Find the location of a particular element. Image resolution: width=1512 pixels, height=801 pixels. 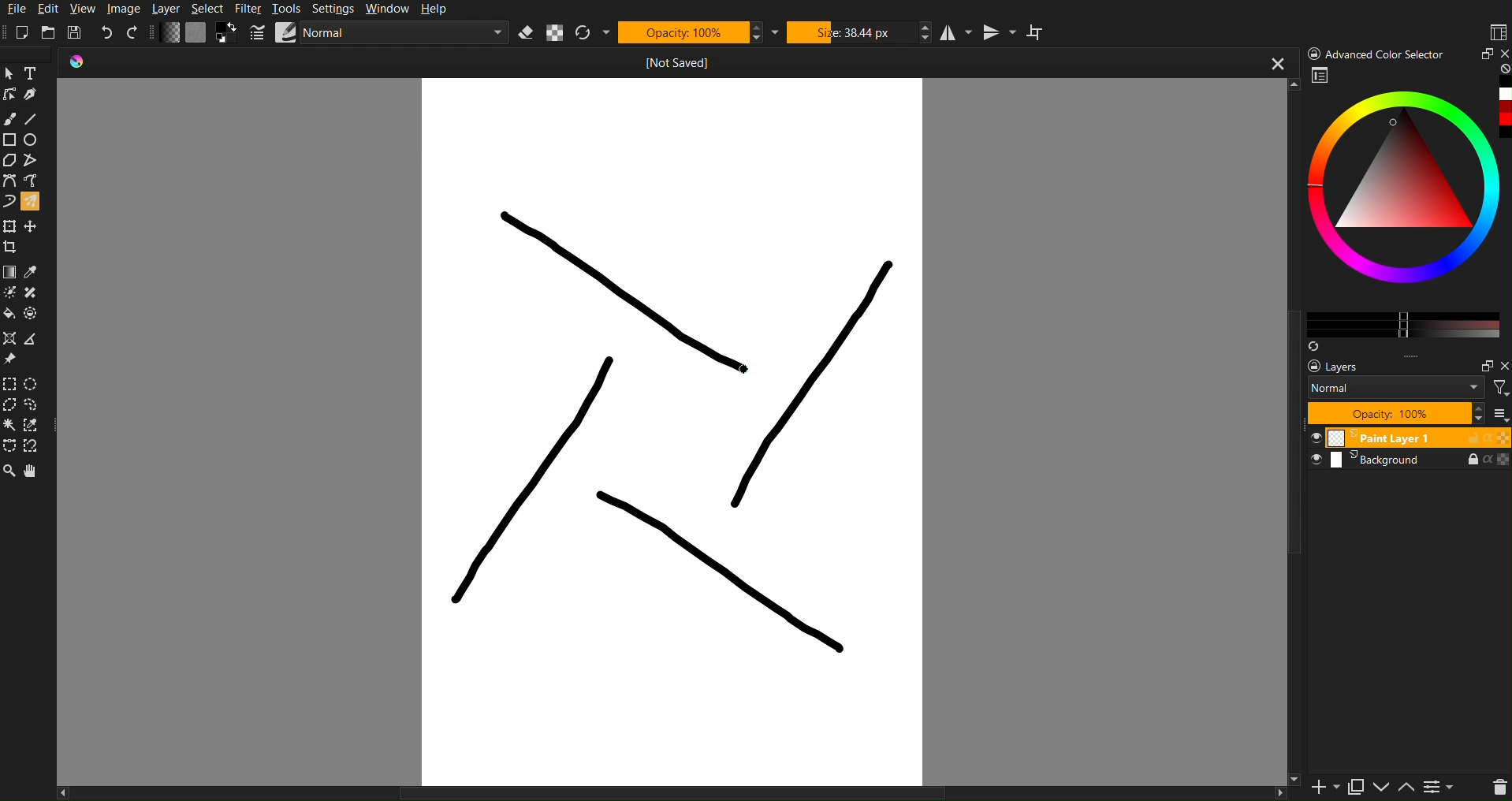

Tools is located at coordinates (290, 7).